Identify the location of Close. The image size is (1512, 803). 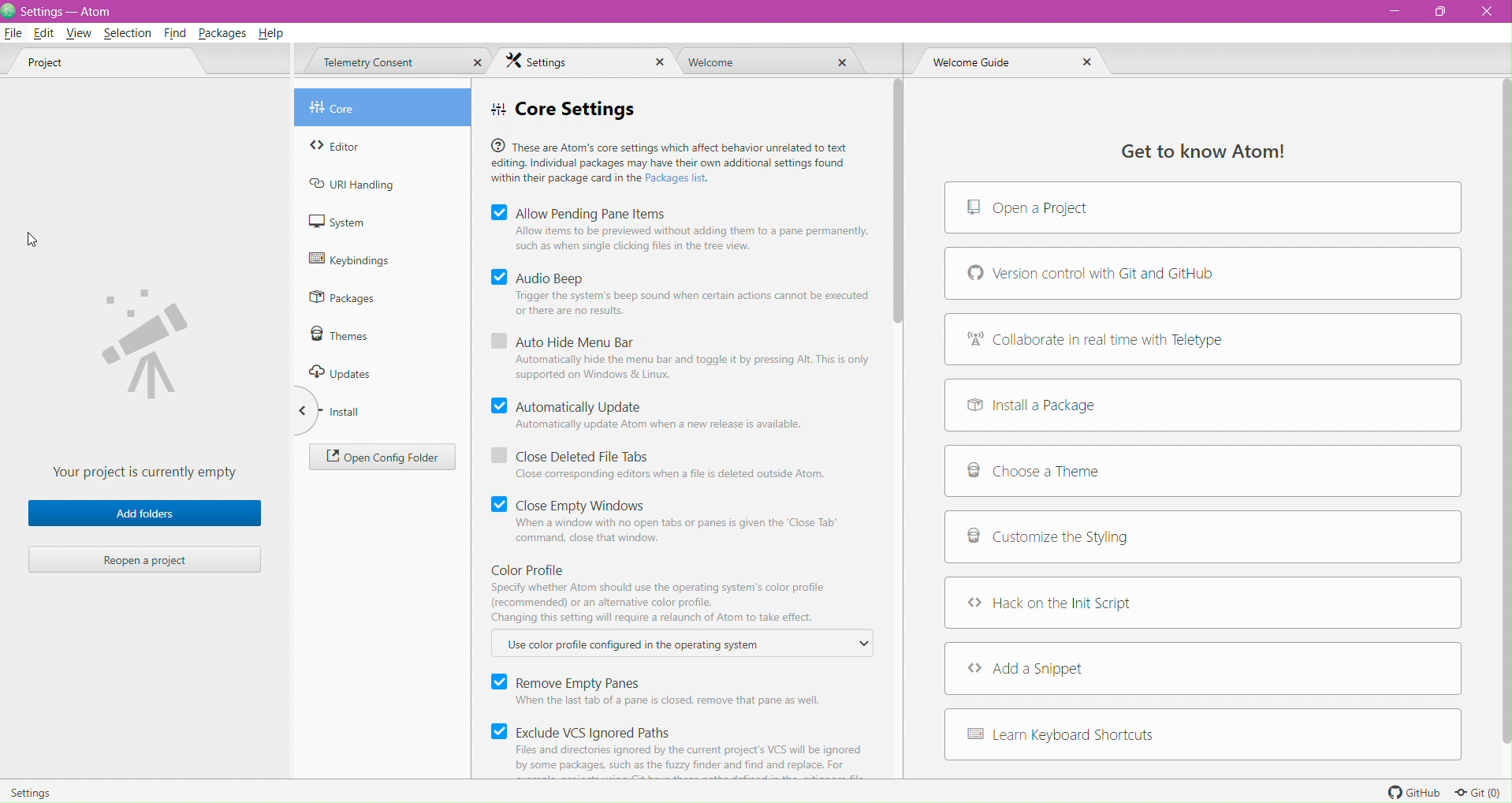
(840, 63).